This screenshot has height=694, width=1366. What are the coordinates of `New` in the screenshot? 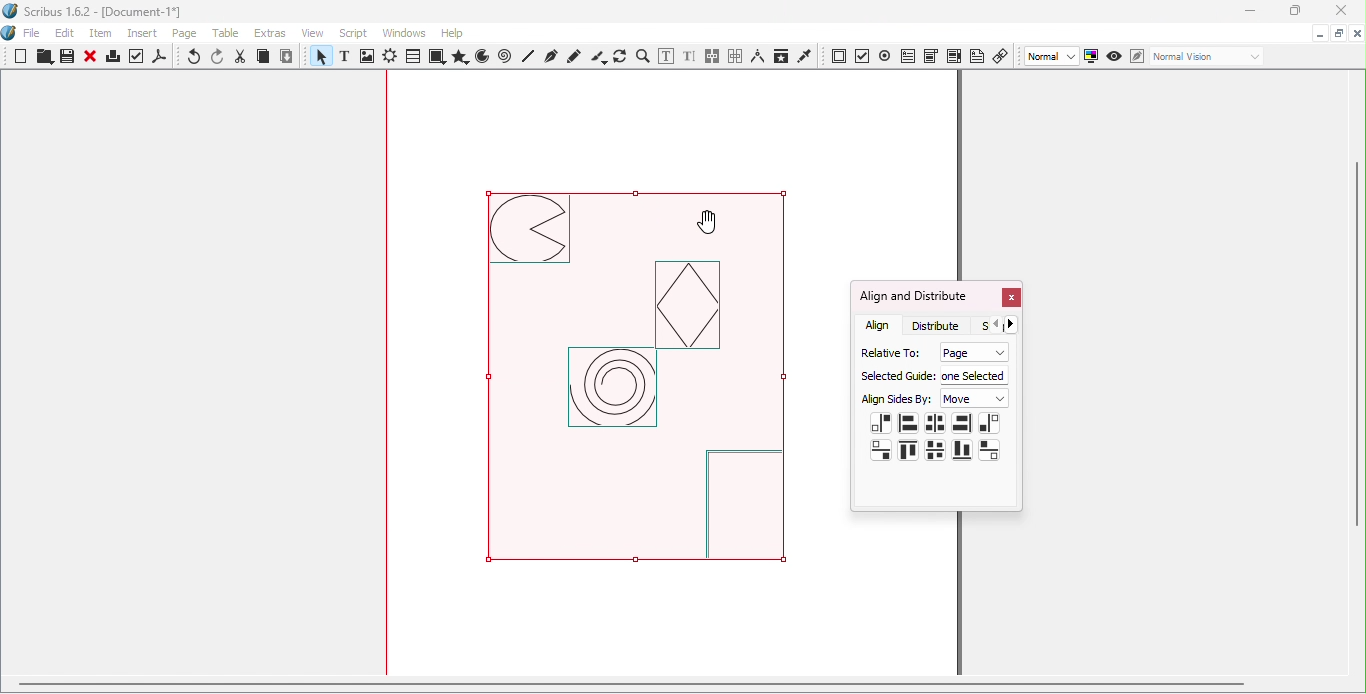 It's located at (21, 56).